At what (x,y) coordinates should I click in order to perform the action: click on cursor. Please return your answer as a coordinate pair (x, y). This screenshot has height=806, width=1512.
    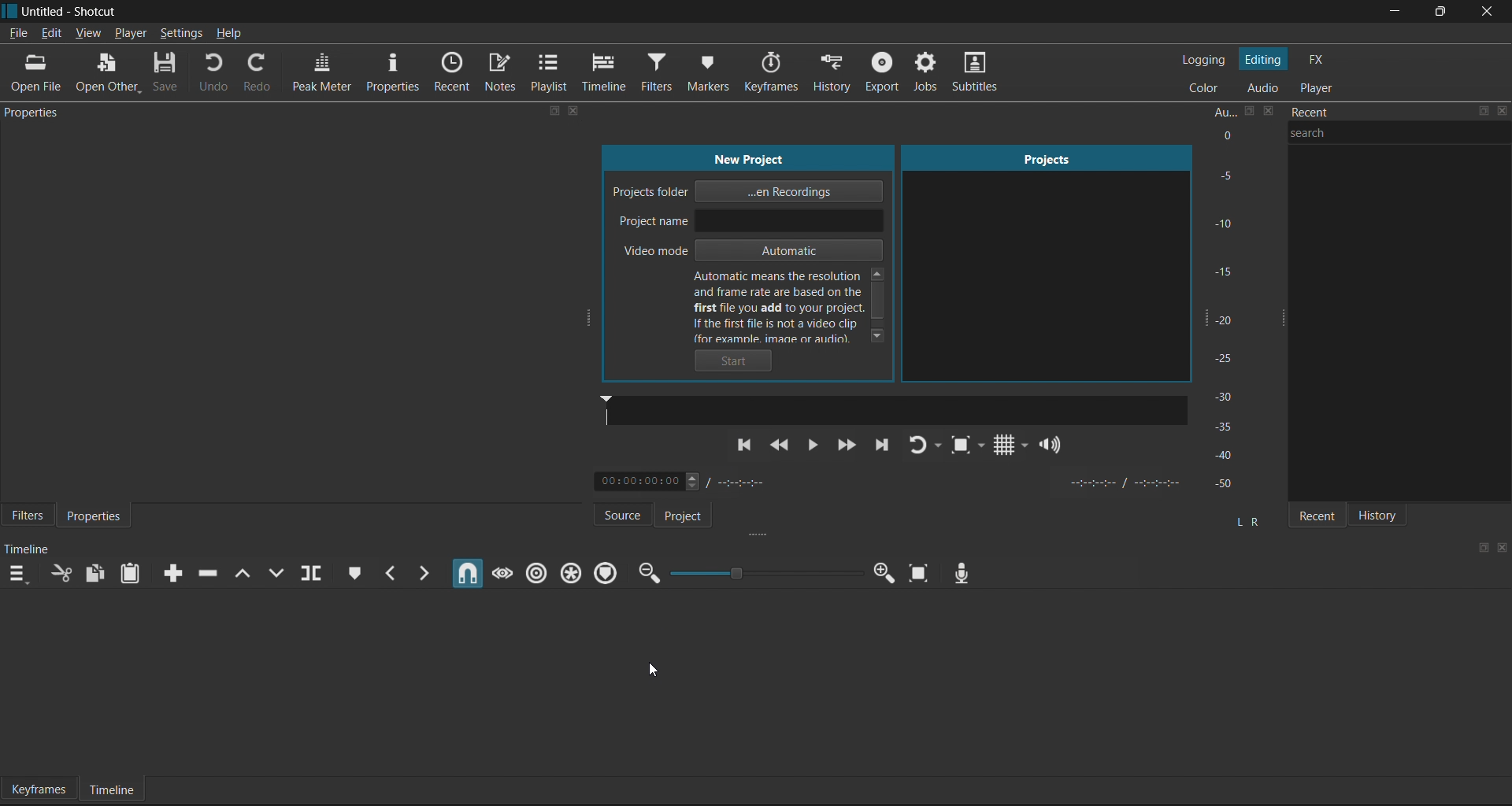
    Looking at the image, I should click on (653, 667).